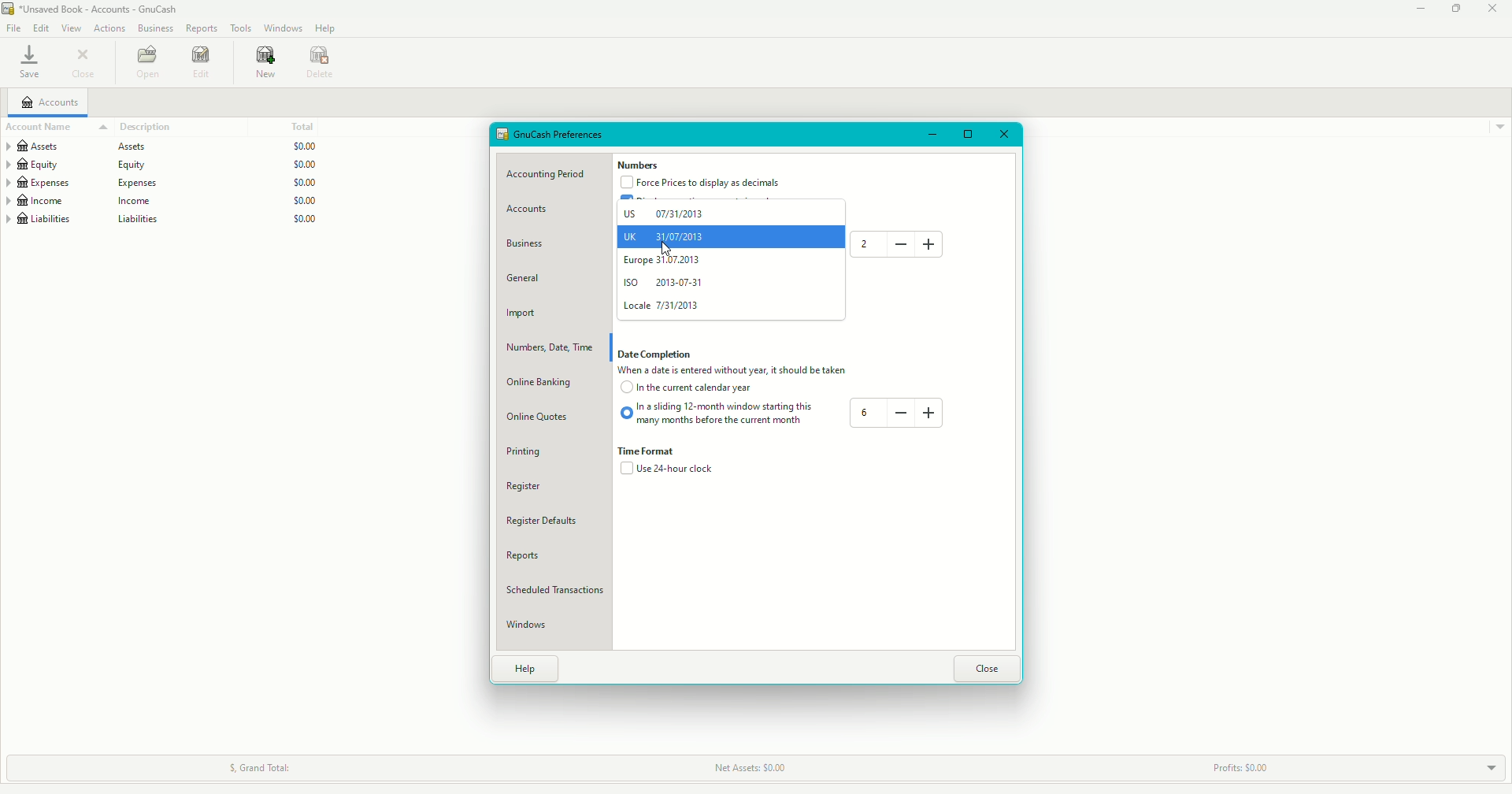 Image resolution: width=1512 pixels, height=794 pixels. What do you see at coordinates (868, 413) in the screenshot?
I see `6` at bounding box center [868, 413].